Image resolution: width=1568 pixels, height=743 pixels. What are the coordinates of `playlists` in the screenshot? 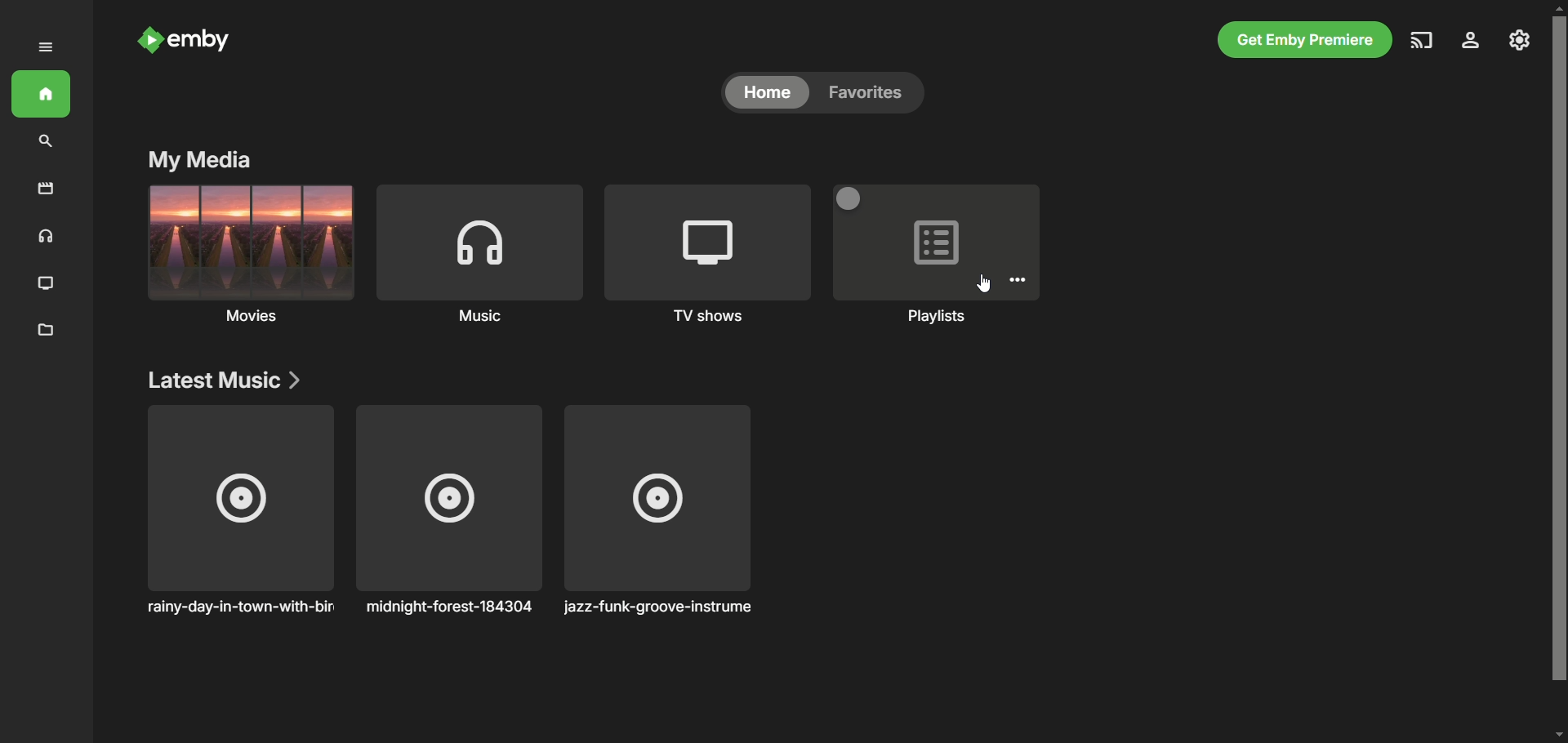 It's located at (933, 257).